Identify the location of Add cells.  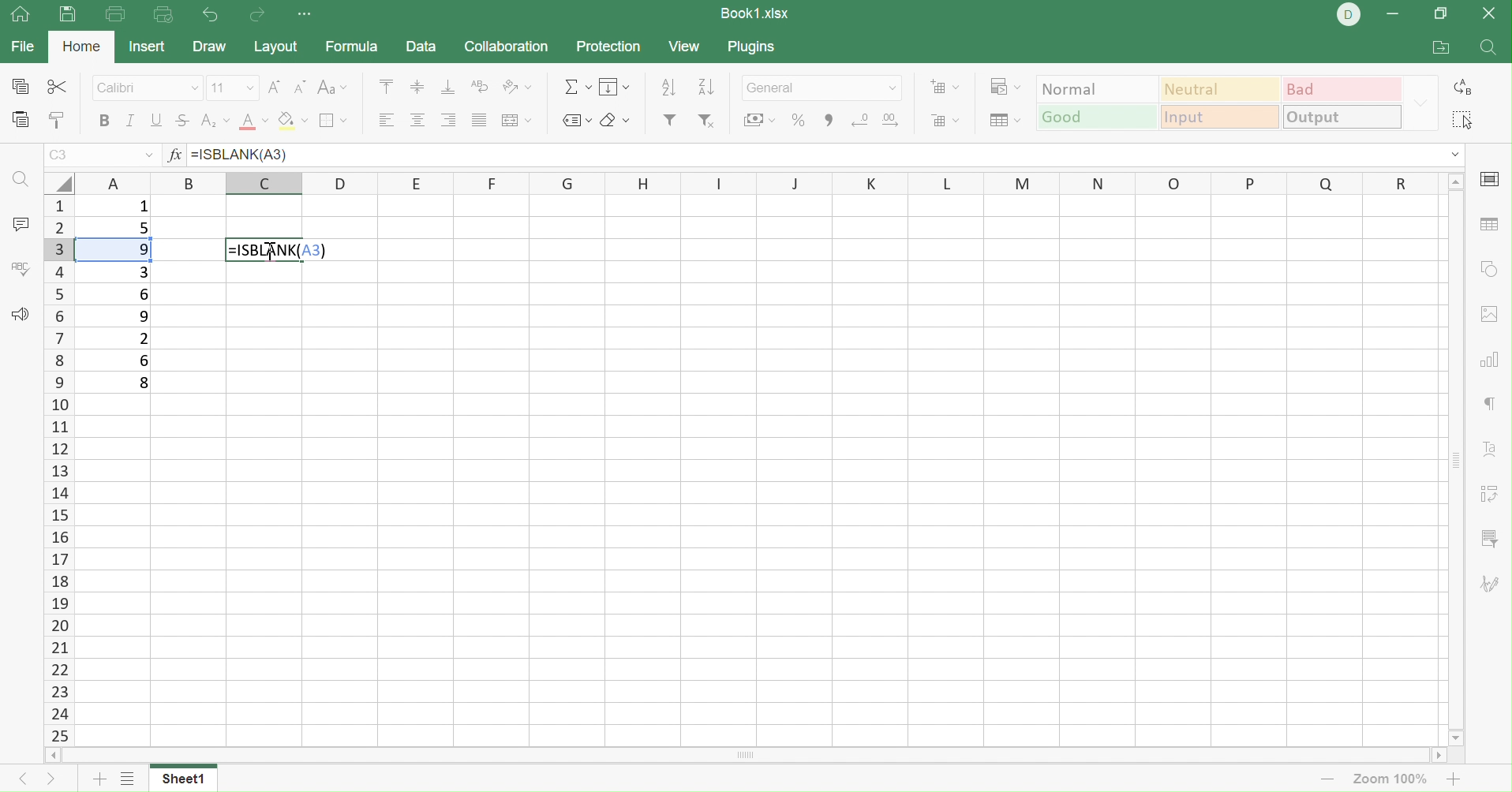
(943, 85).